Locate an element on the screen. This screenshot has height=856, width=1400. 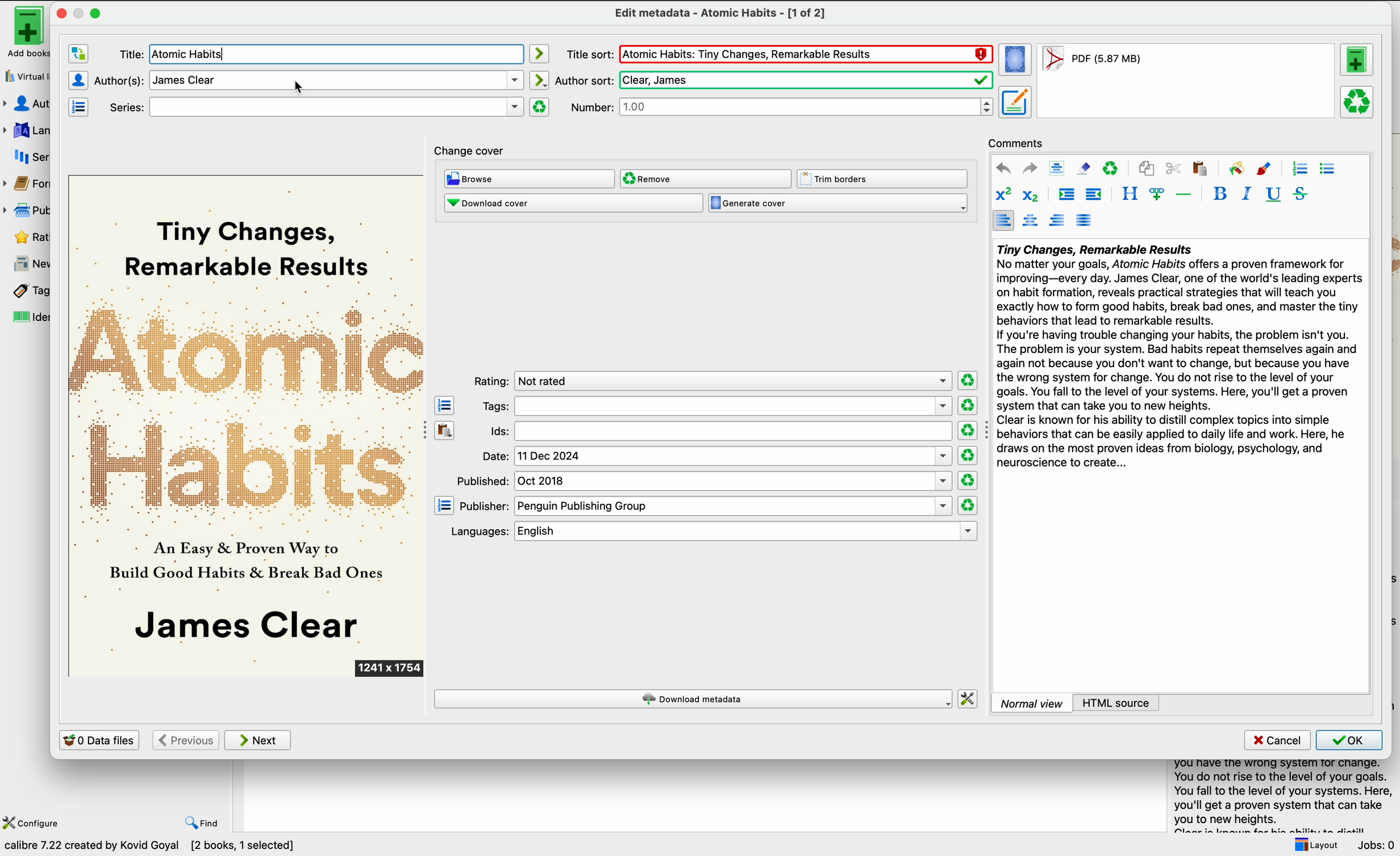
find is located at coordinates (203, 824).